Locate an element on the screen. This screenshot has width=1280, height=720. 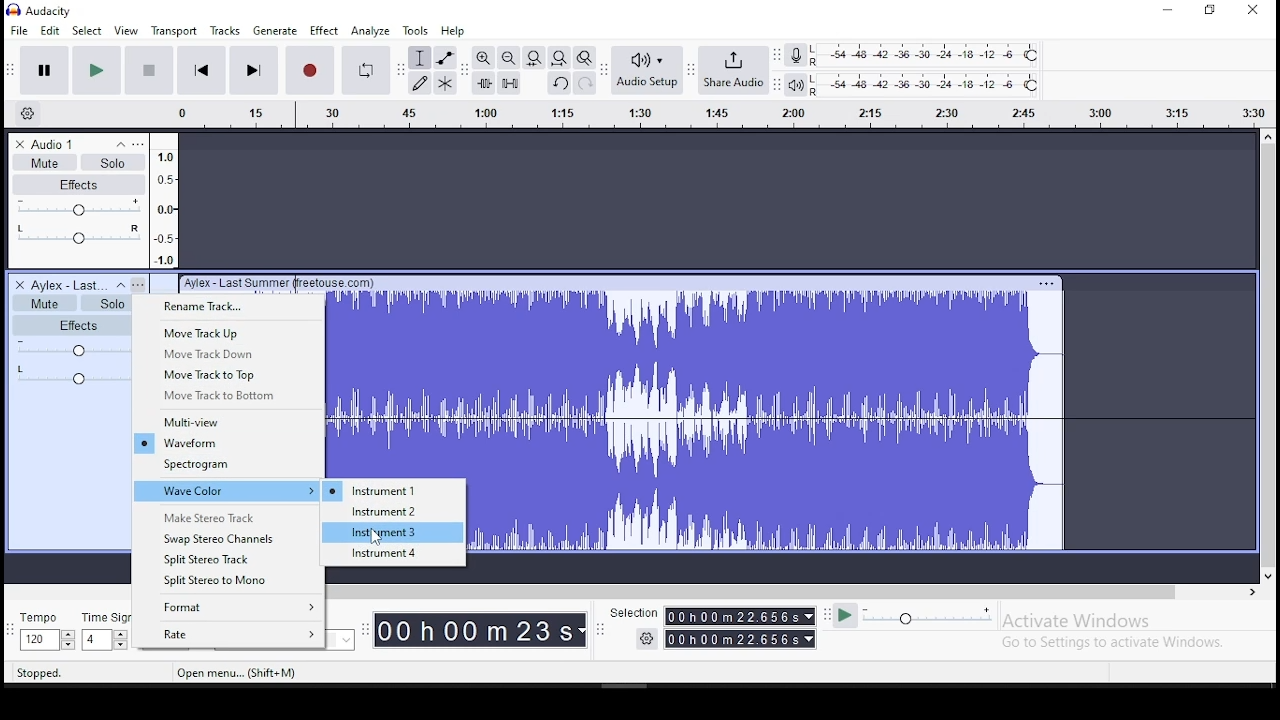
open menu is located at coordinates (139, 284).